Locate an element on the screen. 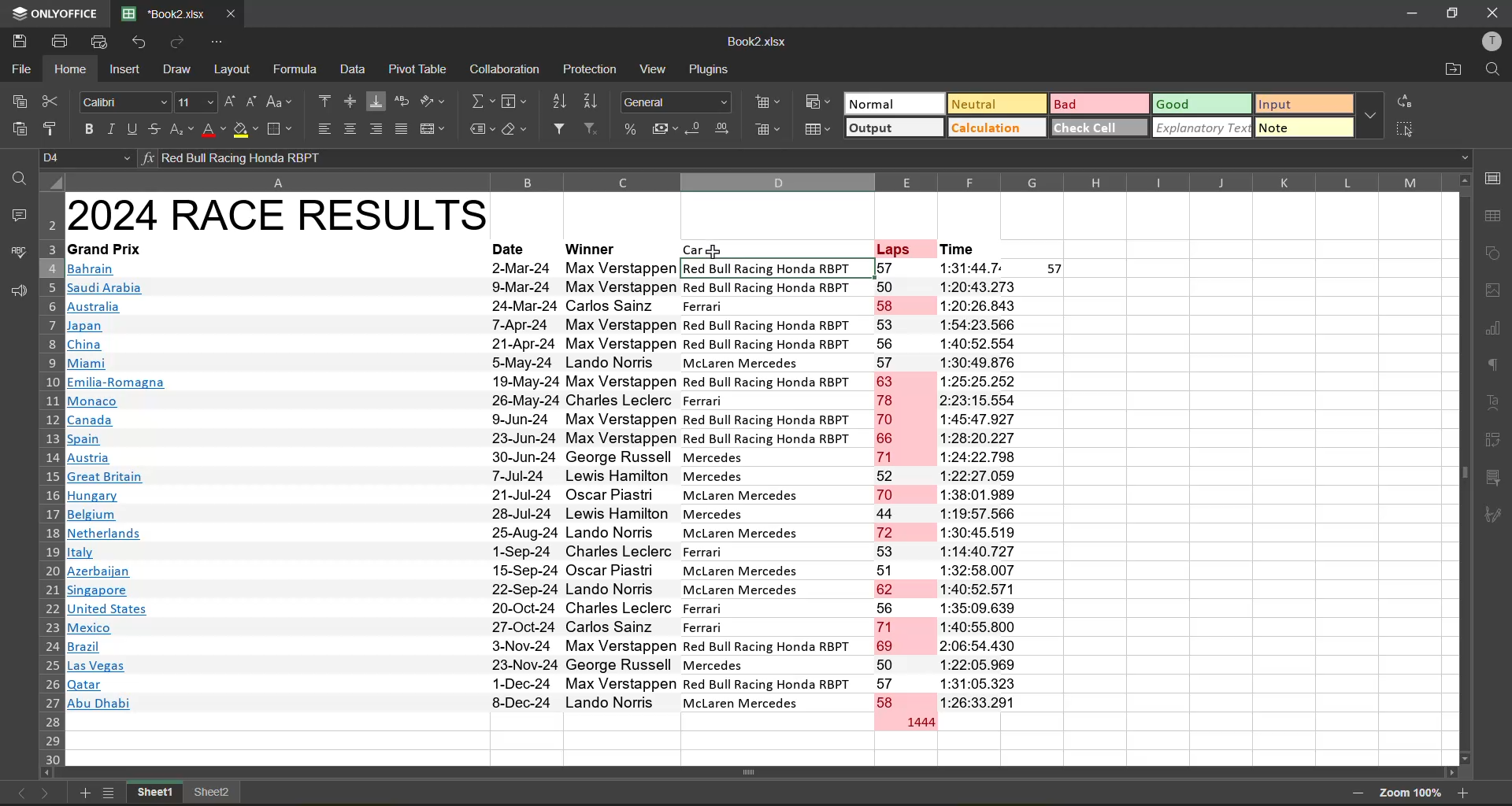 The height and width of the screenshot is (806, 1512). cut is located at coordinates (51, 100).